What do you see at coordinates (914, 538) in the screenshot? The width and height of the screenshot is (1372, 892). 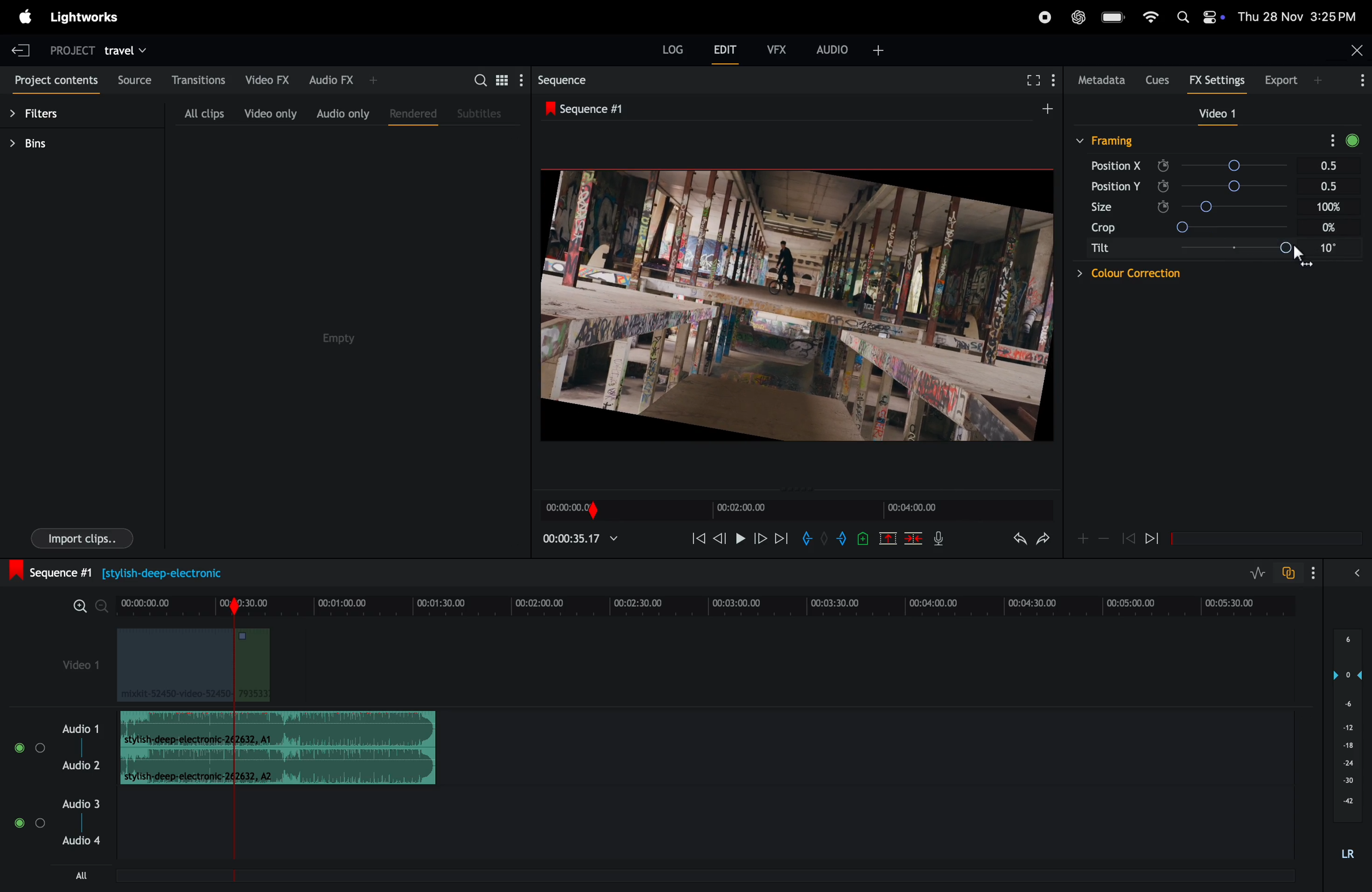 I see `delete` at bounding box center [914, 538].